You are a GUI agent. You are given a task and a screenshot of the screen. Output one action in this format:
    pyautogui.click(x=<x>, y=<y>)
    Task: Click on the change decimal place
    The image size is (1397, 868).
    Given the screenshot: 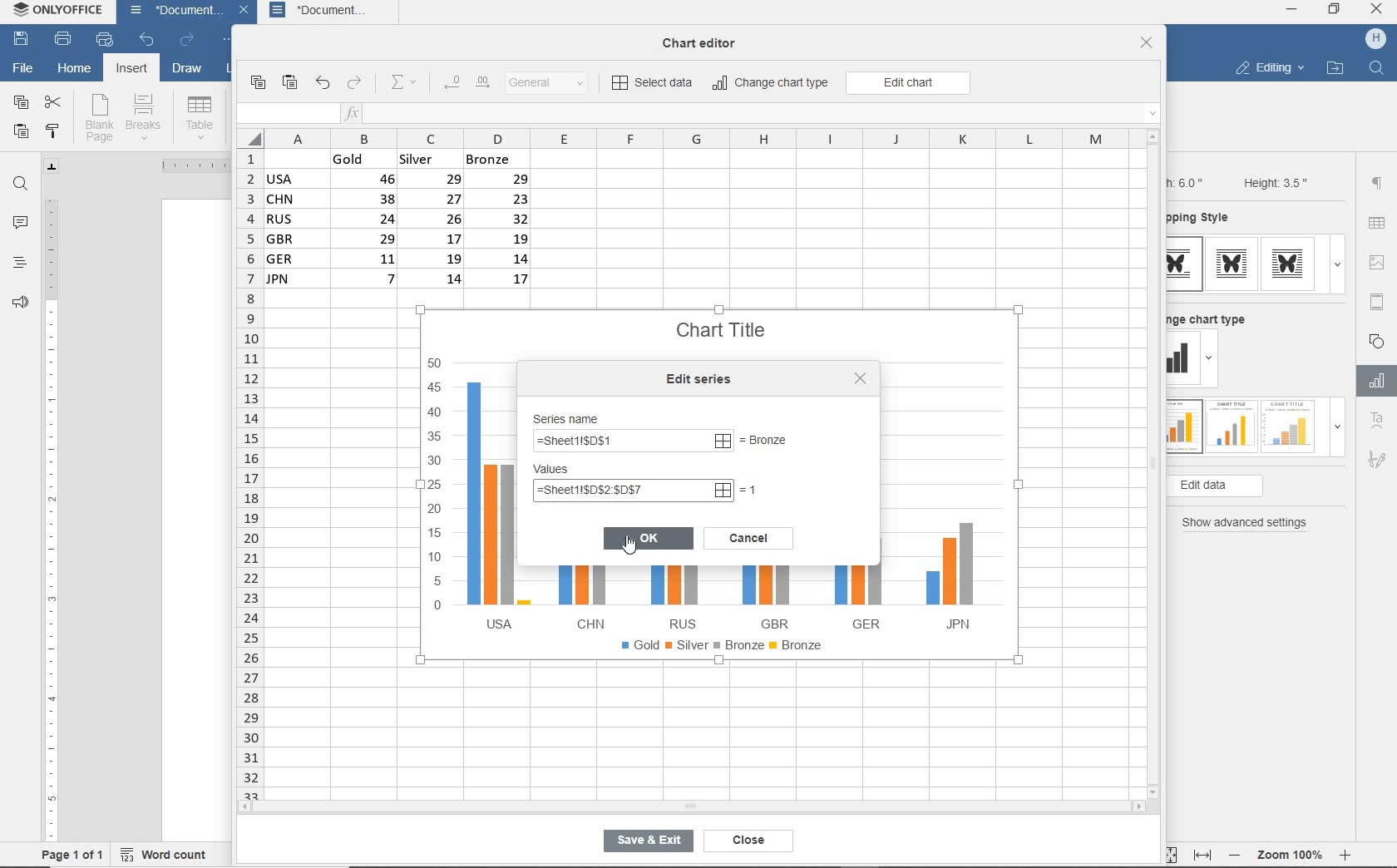 What is the action you would take?
    pyautogui.click(x=466, y=83)
    